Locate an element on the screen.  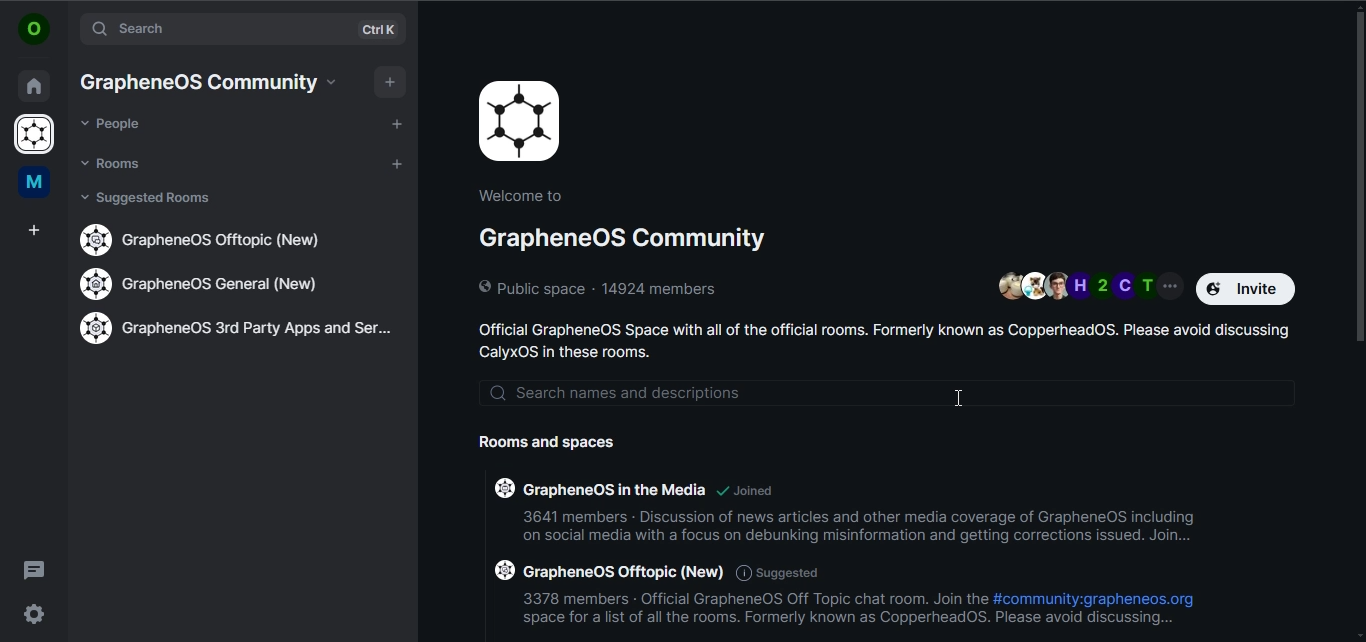
srapheneOS Offtopic (New) (1) suggested1378 members - Official GrapheneOS Off Topic chat room. Join the  is located at coordinates (738, 583).